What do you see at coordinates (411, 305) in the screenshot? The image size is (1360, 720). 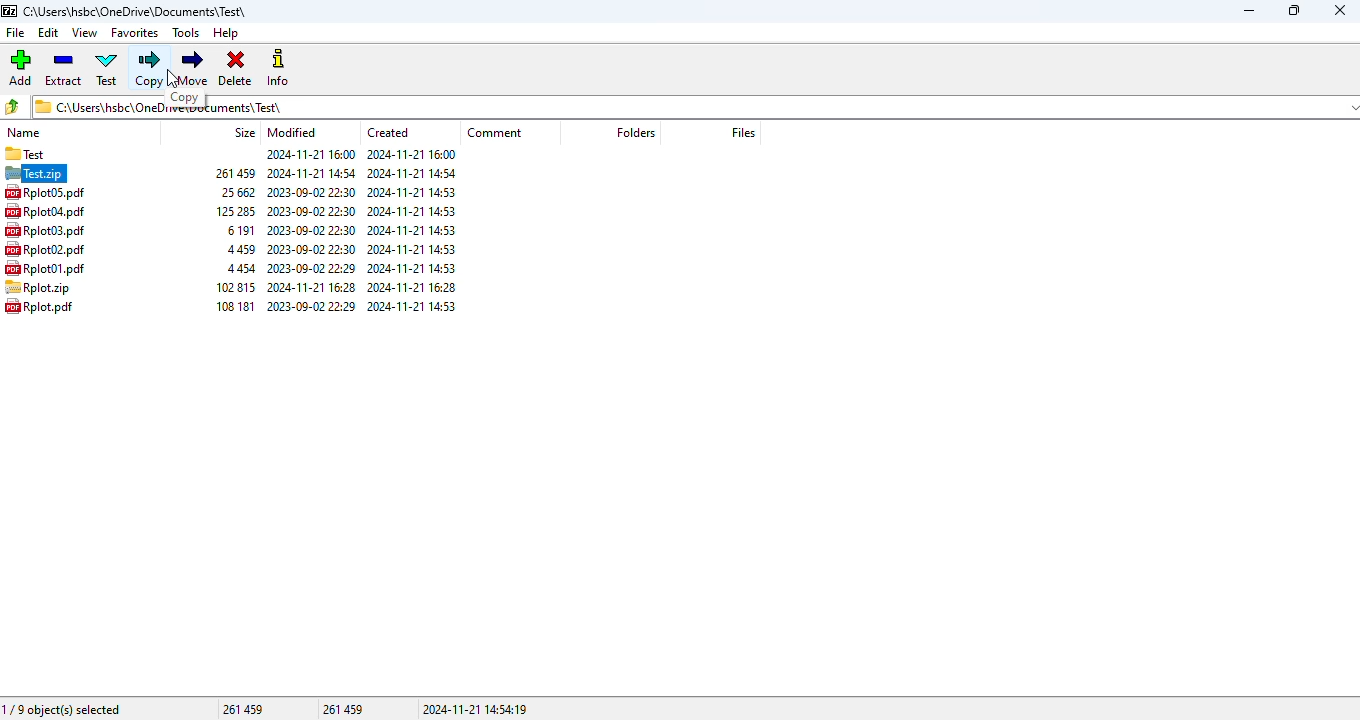 I see `created date & time` at bounding box center [411, 305].